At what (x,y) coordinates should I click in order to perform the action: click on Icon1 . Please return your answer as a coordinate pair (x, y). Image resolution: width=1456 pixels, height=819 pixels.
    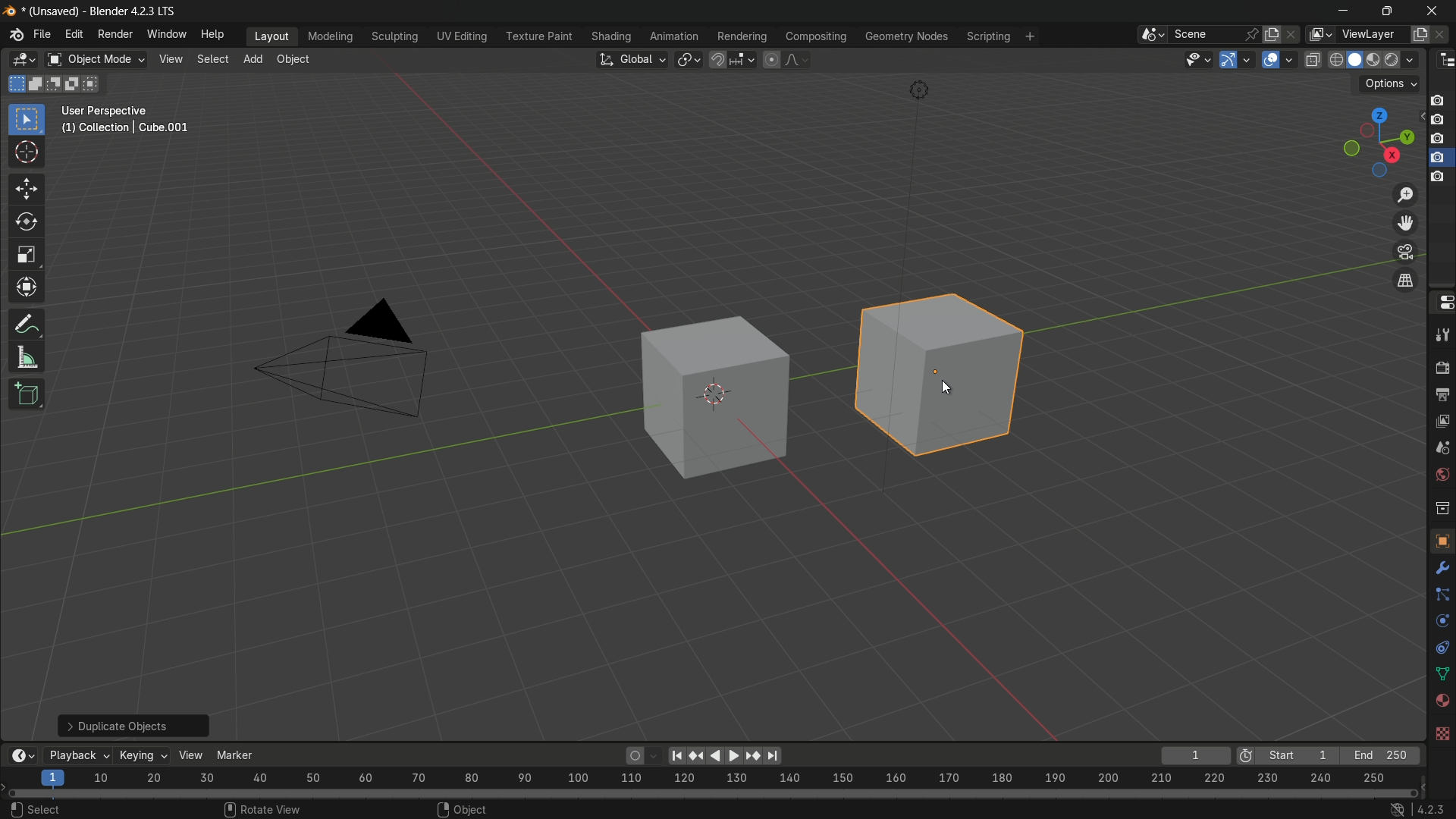
    Looking at the image, I should click on (1439, 99).